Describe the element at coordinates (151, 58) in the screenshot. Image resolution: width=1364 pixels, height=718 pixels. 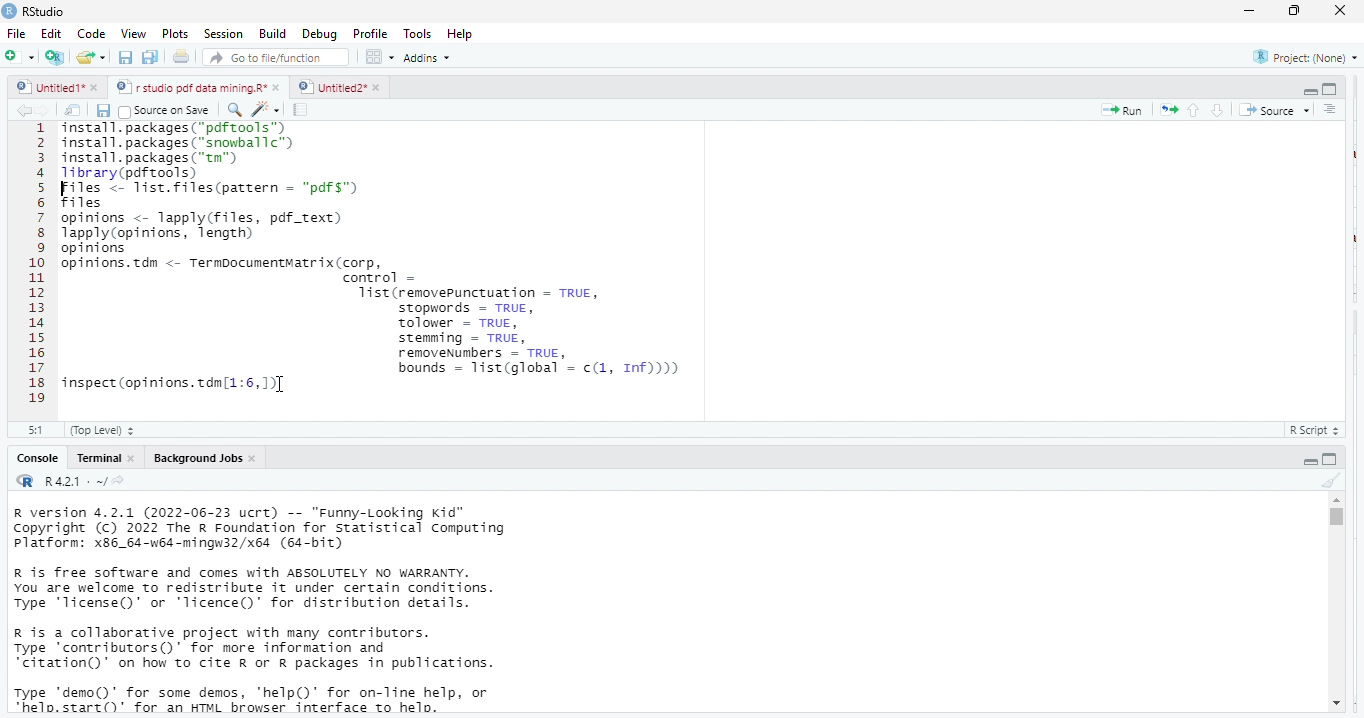
I see `save all open documents` at that location.